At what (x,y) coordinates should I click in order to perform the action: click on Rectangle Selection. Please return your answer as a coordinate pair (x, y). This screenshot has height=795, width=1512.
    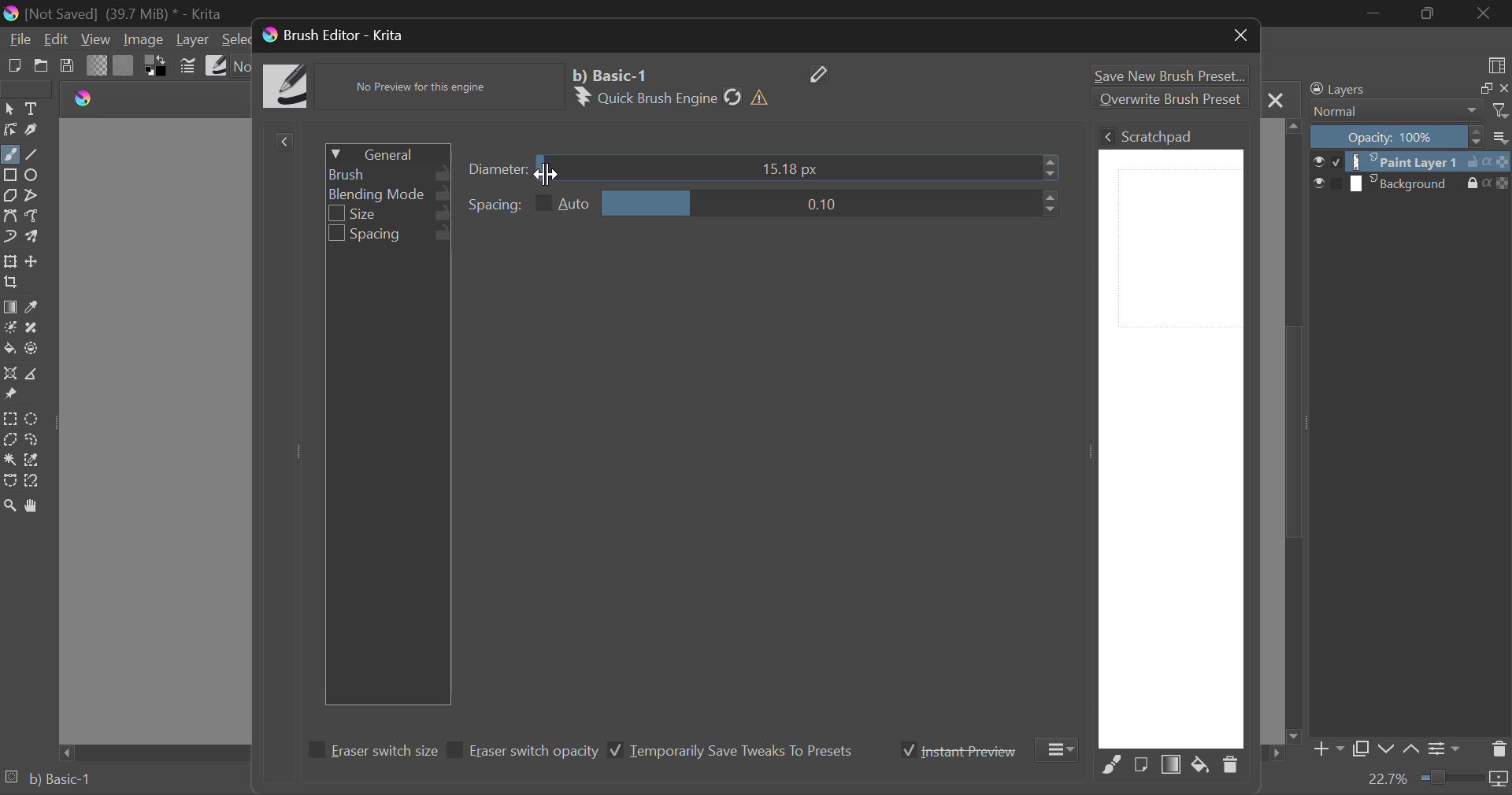
    Looking at the image, I should click on (10, 418).